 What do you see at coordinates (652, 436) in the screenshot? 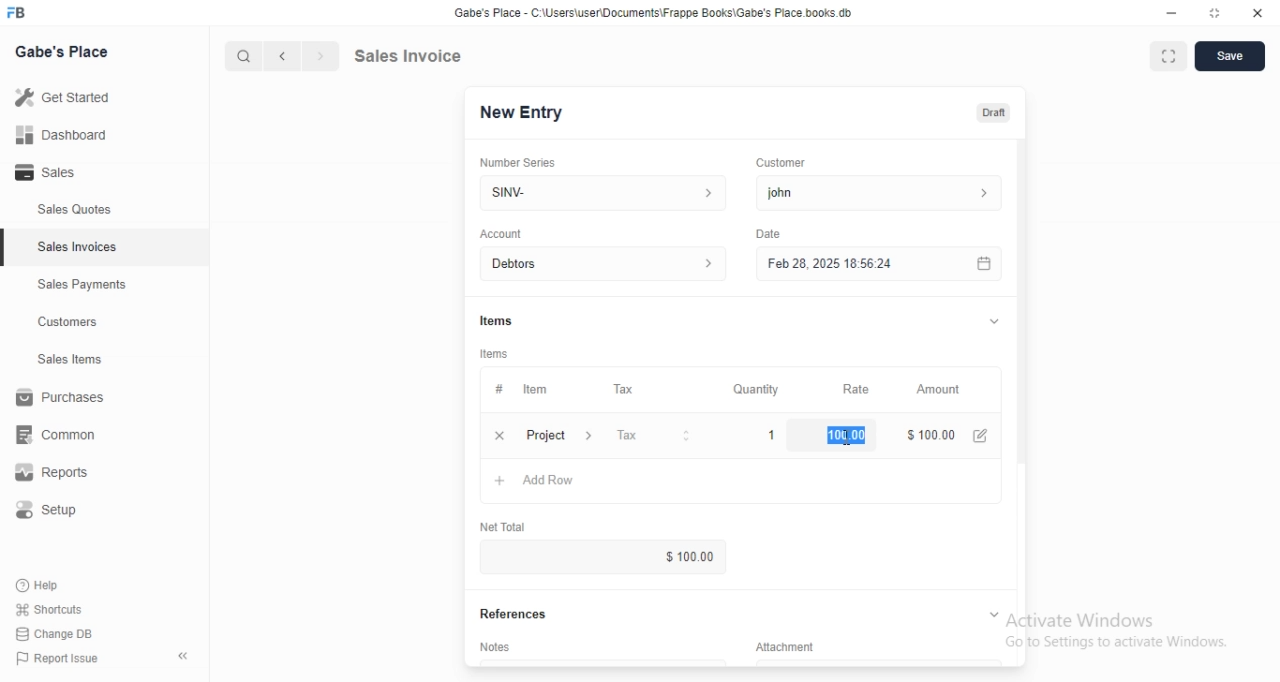
I see `Tax &` at bounding box center [652, 436].